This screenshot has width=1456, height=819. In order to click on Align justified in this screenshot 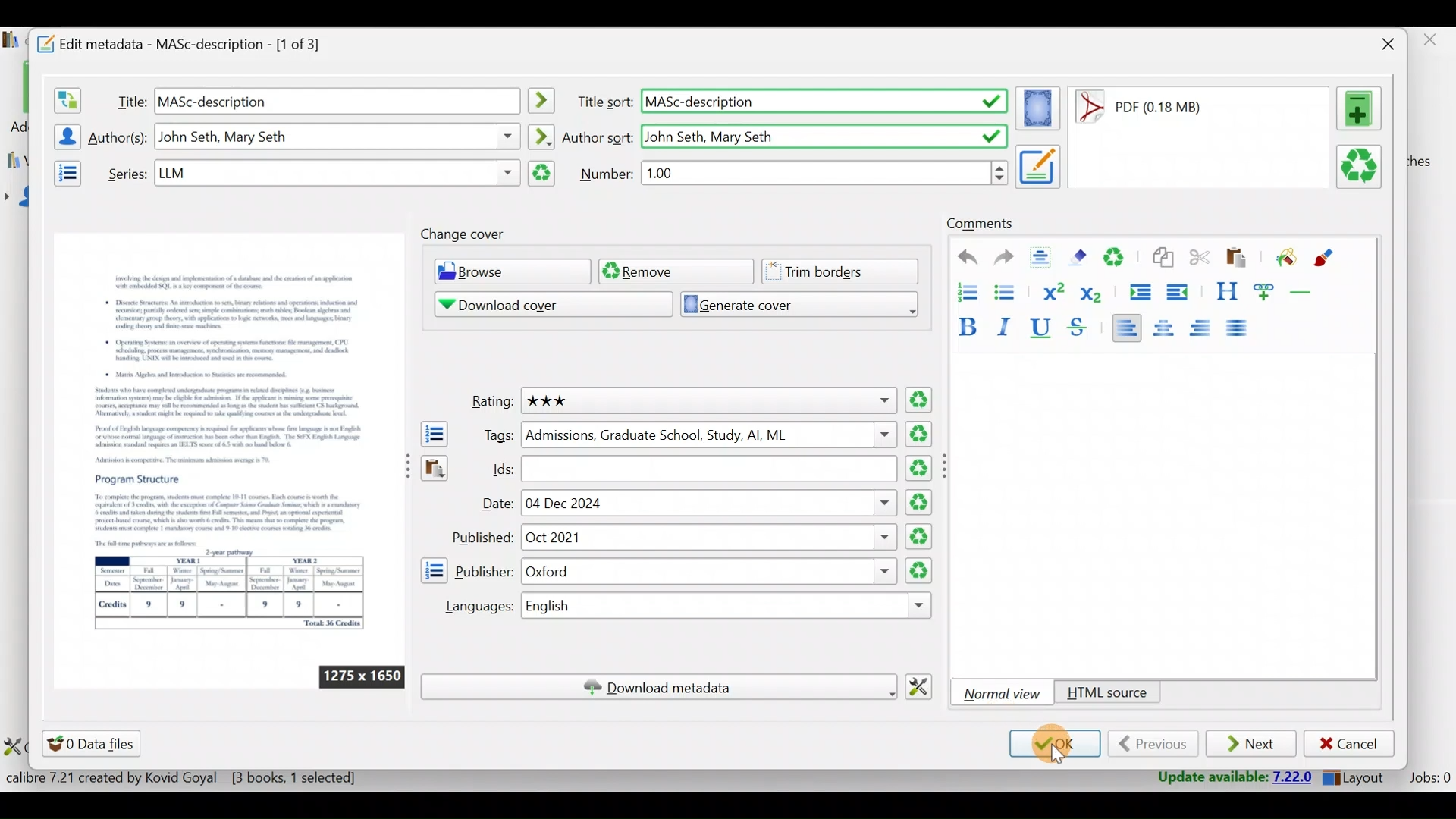, I will do `click(1241, 329)`.